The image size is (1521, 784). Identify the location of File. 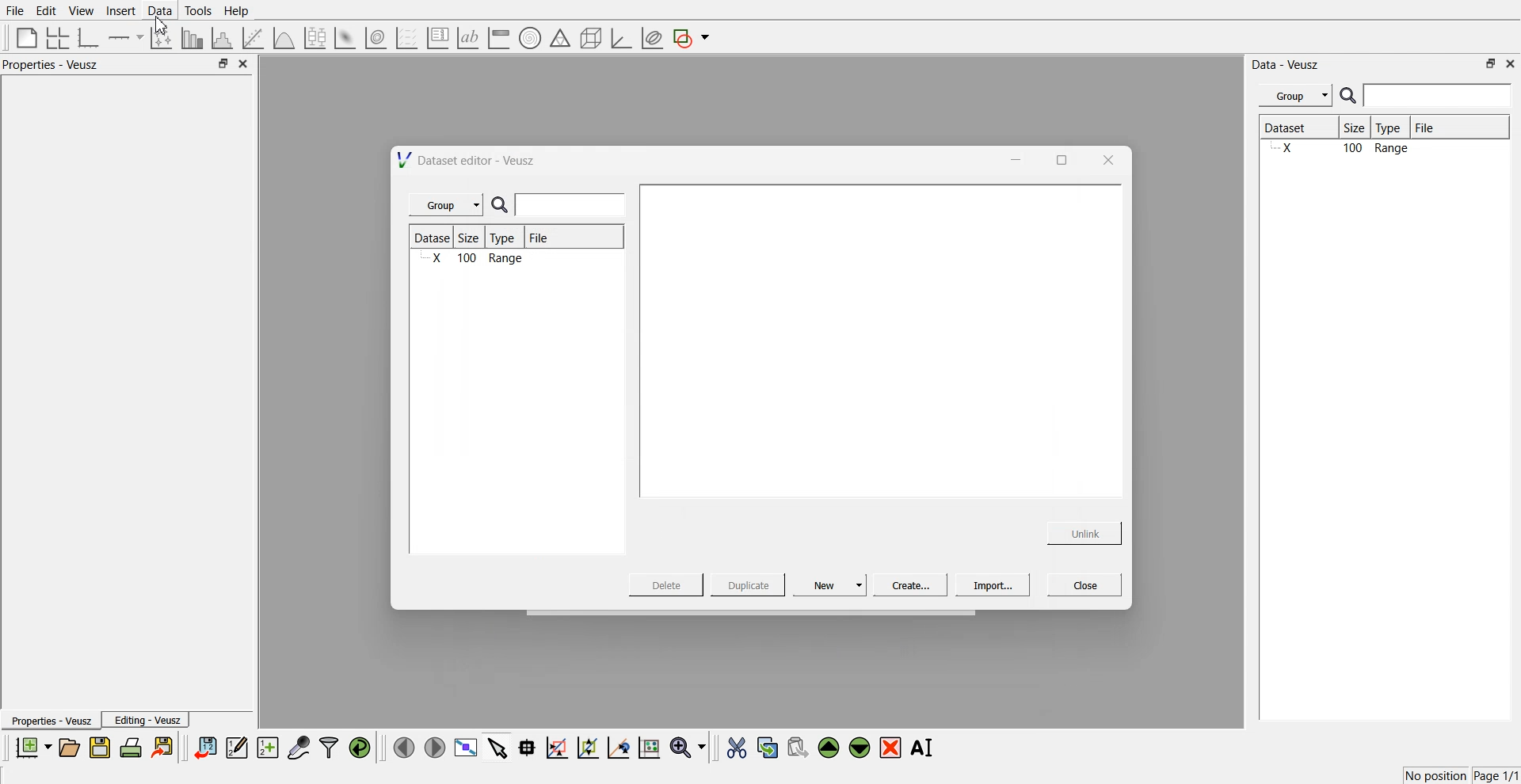
(16, 11).